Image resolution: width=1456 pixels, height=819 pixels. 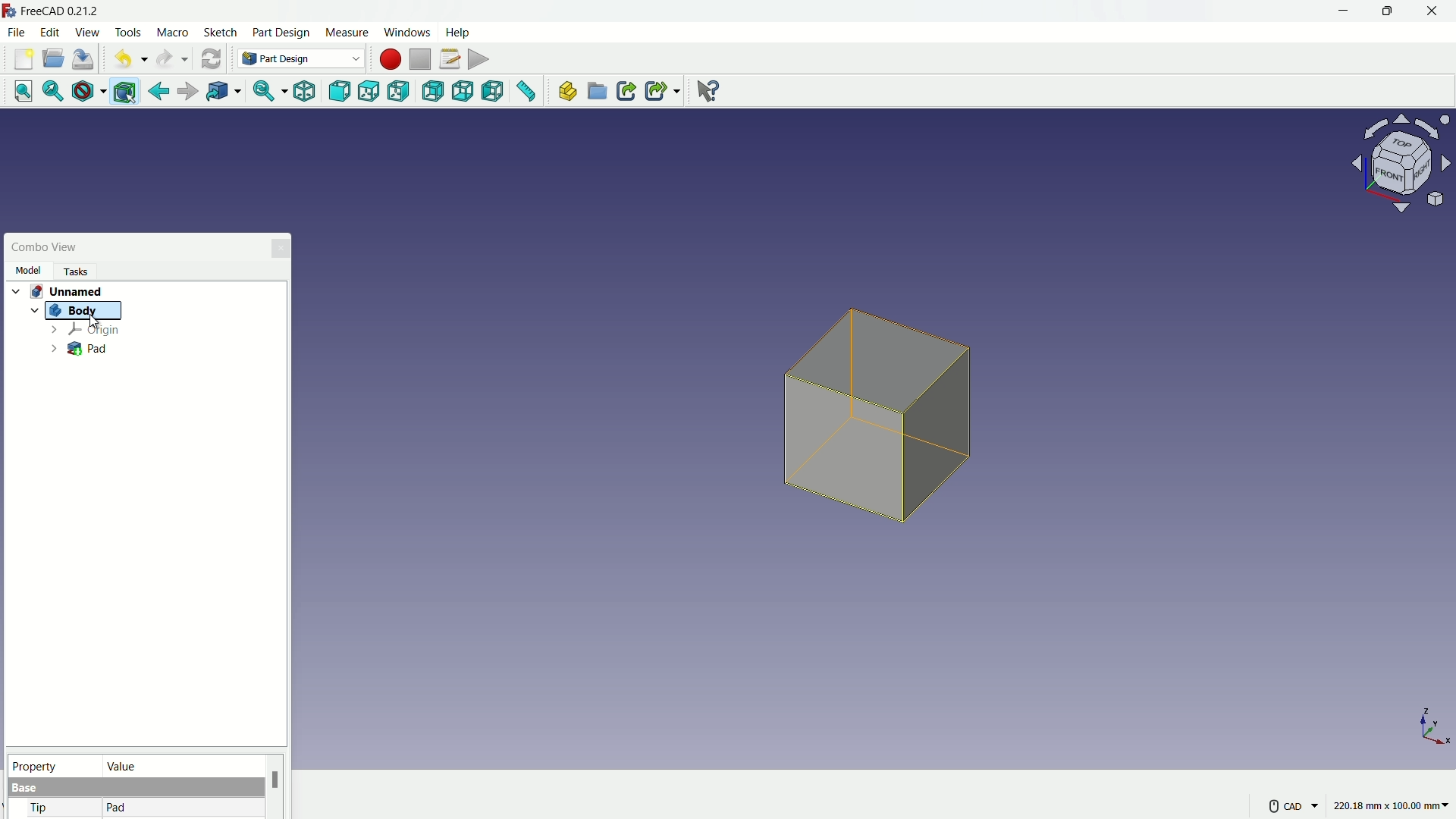 What do you see at coordinates (527, 93) in the screenshot?
I see `measure` at bounding box center [527, 93].